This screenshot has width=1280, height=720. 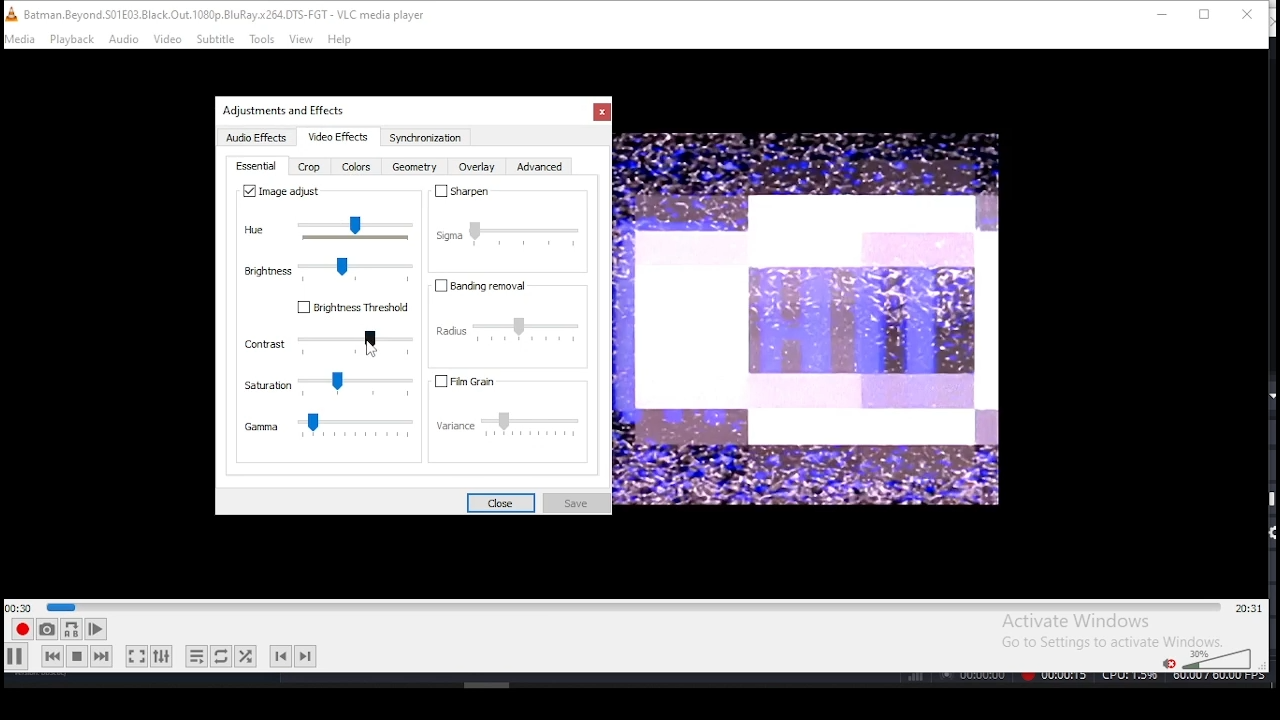 I want to click on toggle fullscreen, so click(x=137, y=658).